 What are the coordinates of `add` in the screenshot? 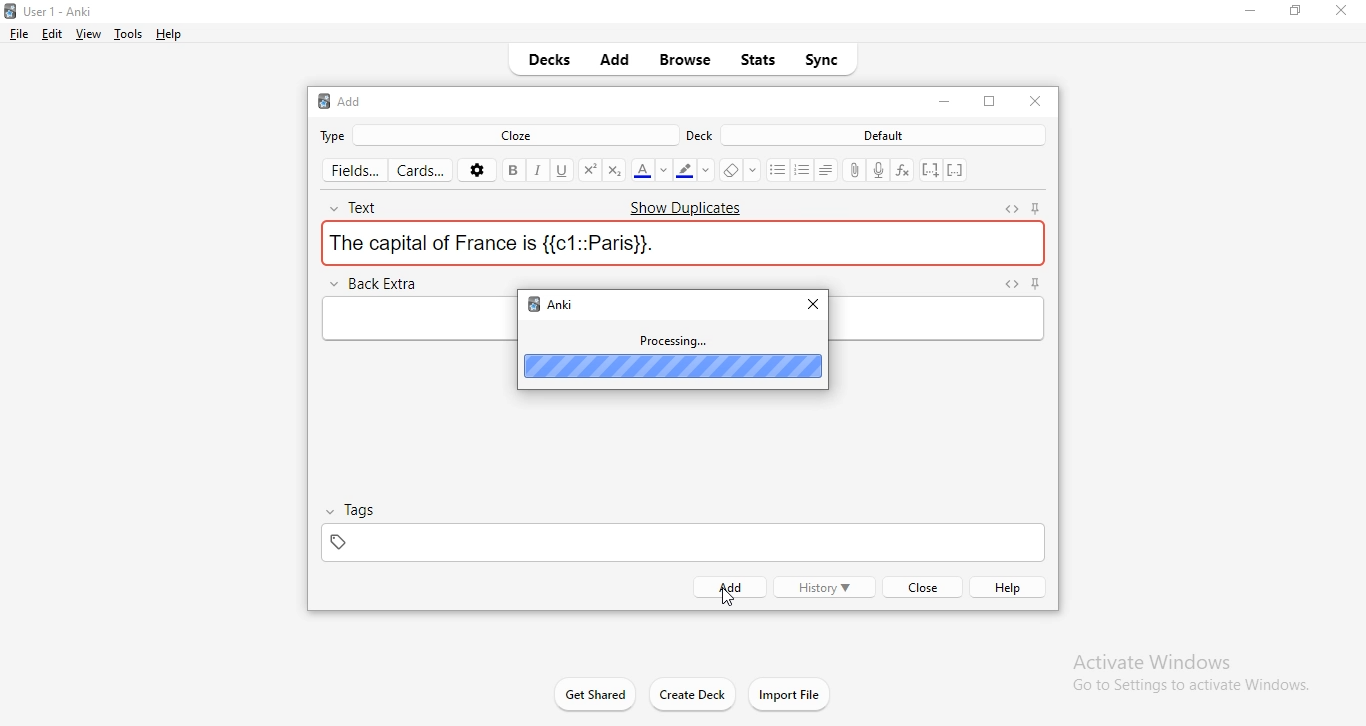 It's located at (727, 587).